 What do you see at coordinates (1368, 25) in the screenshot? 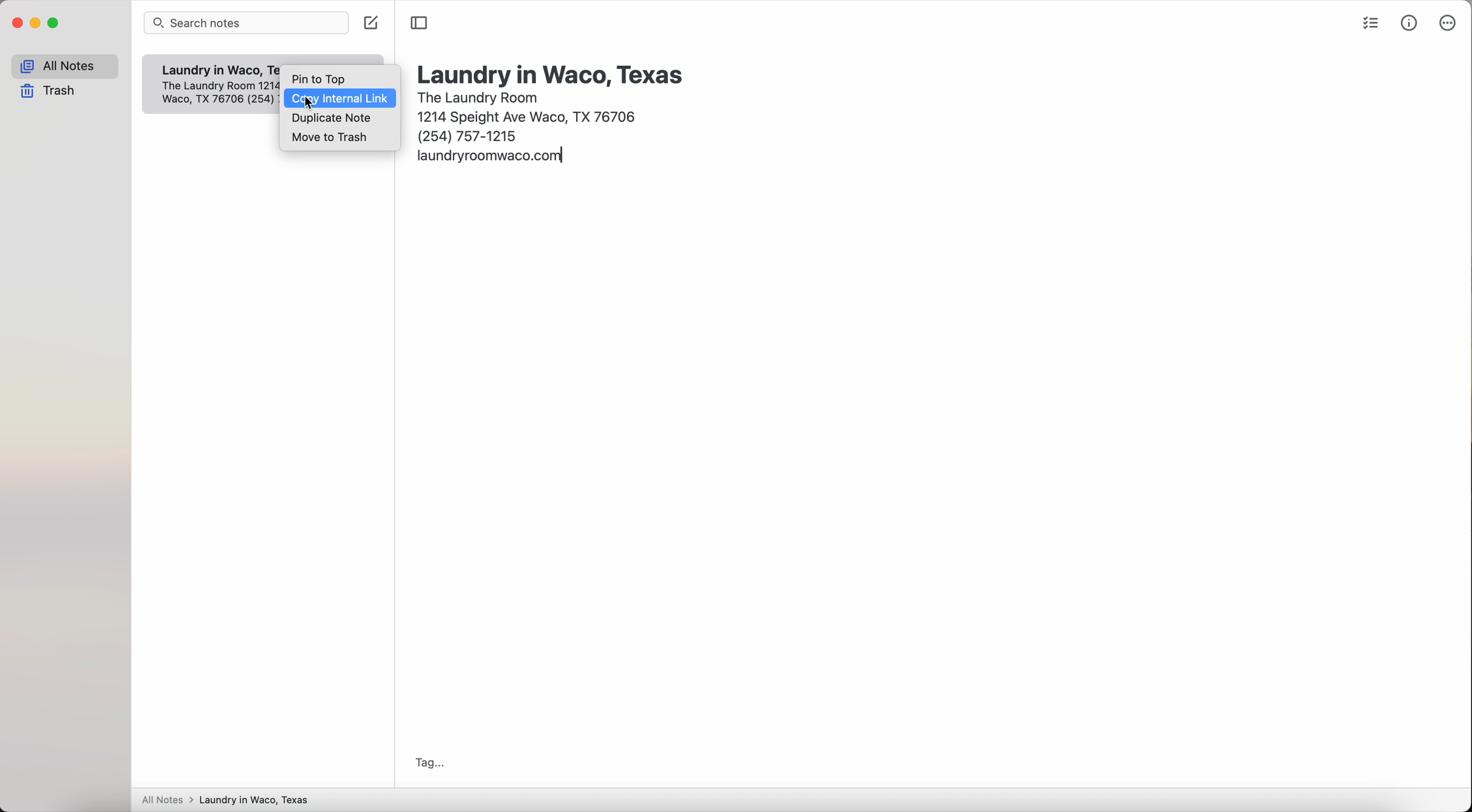
I see `check list` at bounding box center [1368, 25].